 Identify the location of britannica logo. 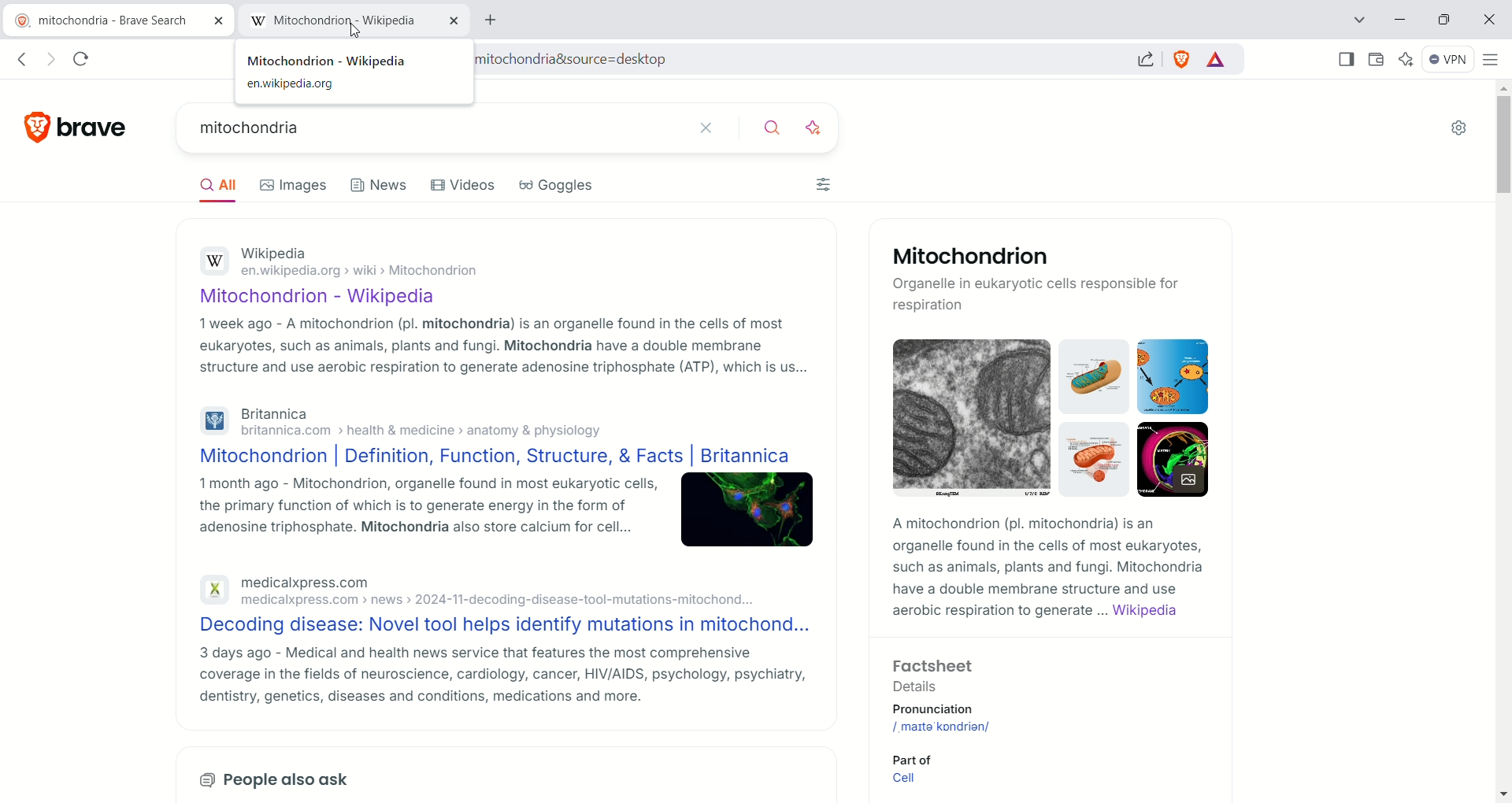
(210, 420).